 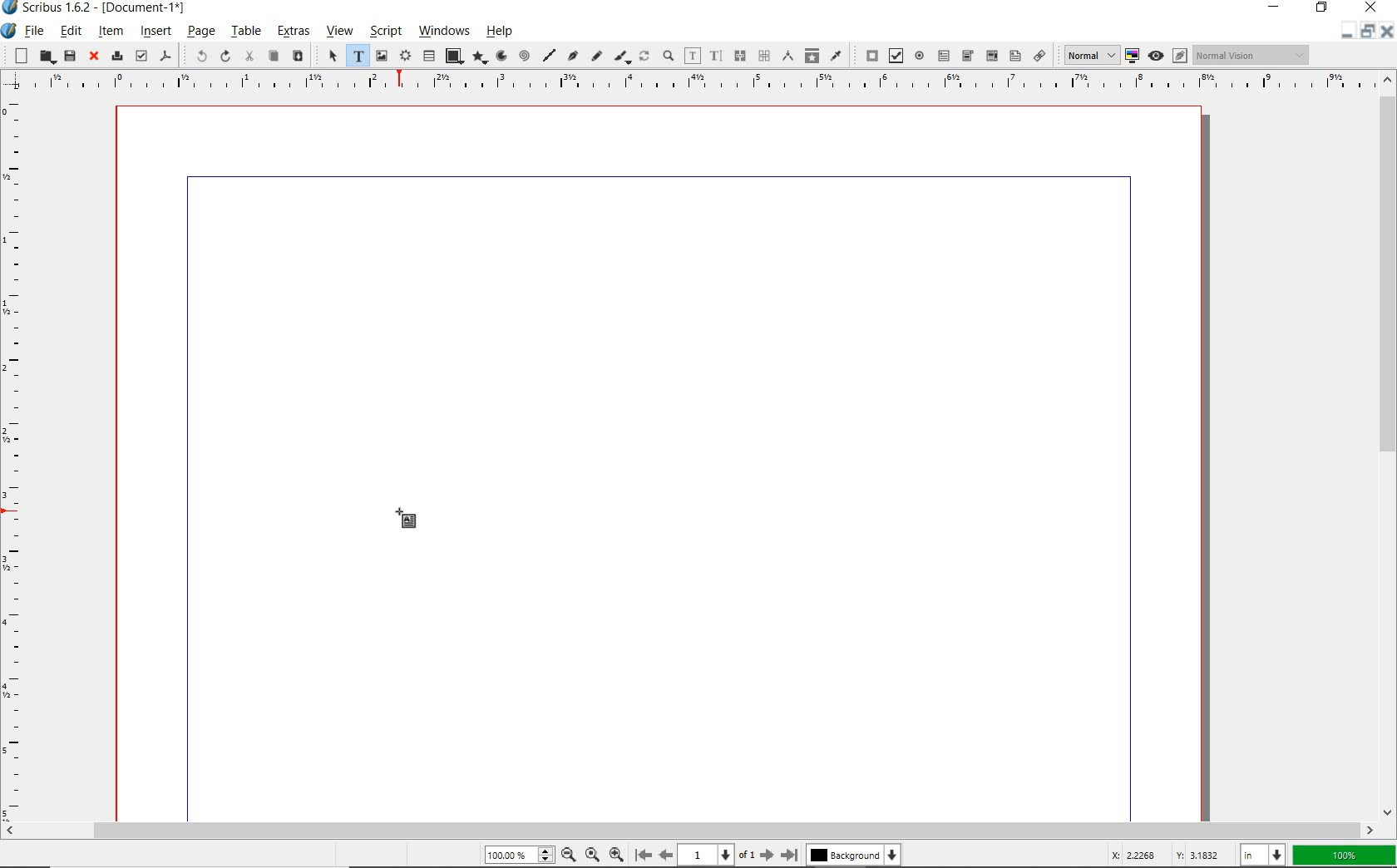 What do you see at coordinates (590, 854) in the screenshot?
I see `Zoom to 100%` at bounding box center [590, 854].